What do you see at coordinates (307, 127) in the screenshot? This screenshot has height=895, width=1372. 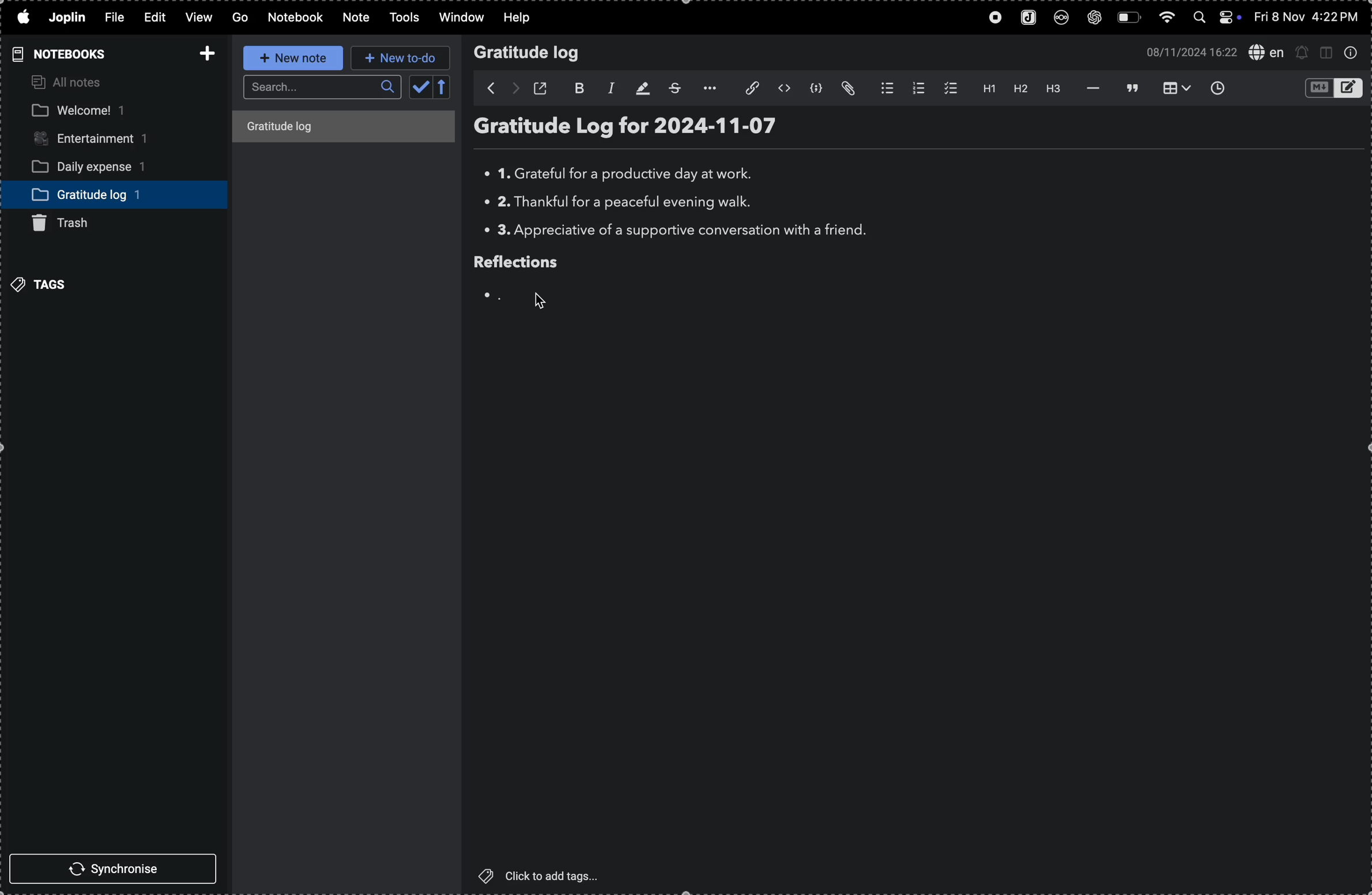 I see `title` at bounding box center [307, 127].